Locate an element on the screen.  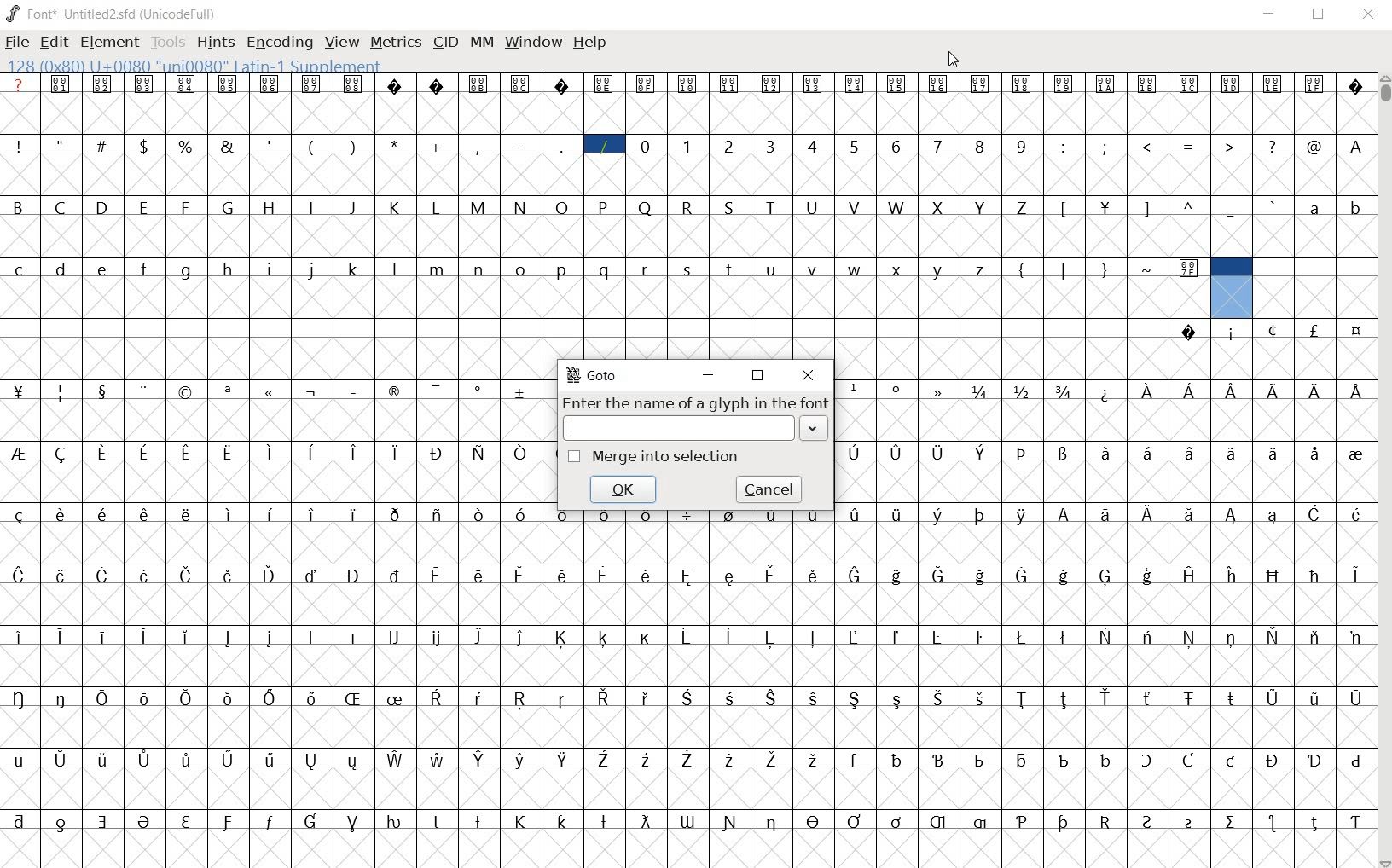
Symbol is located at coordinates (315, 574).